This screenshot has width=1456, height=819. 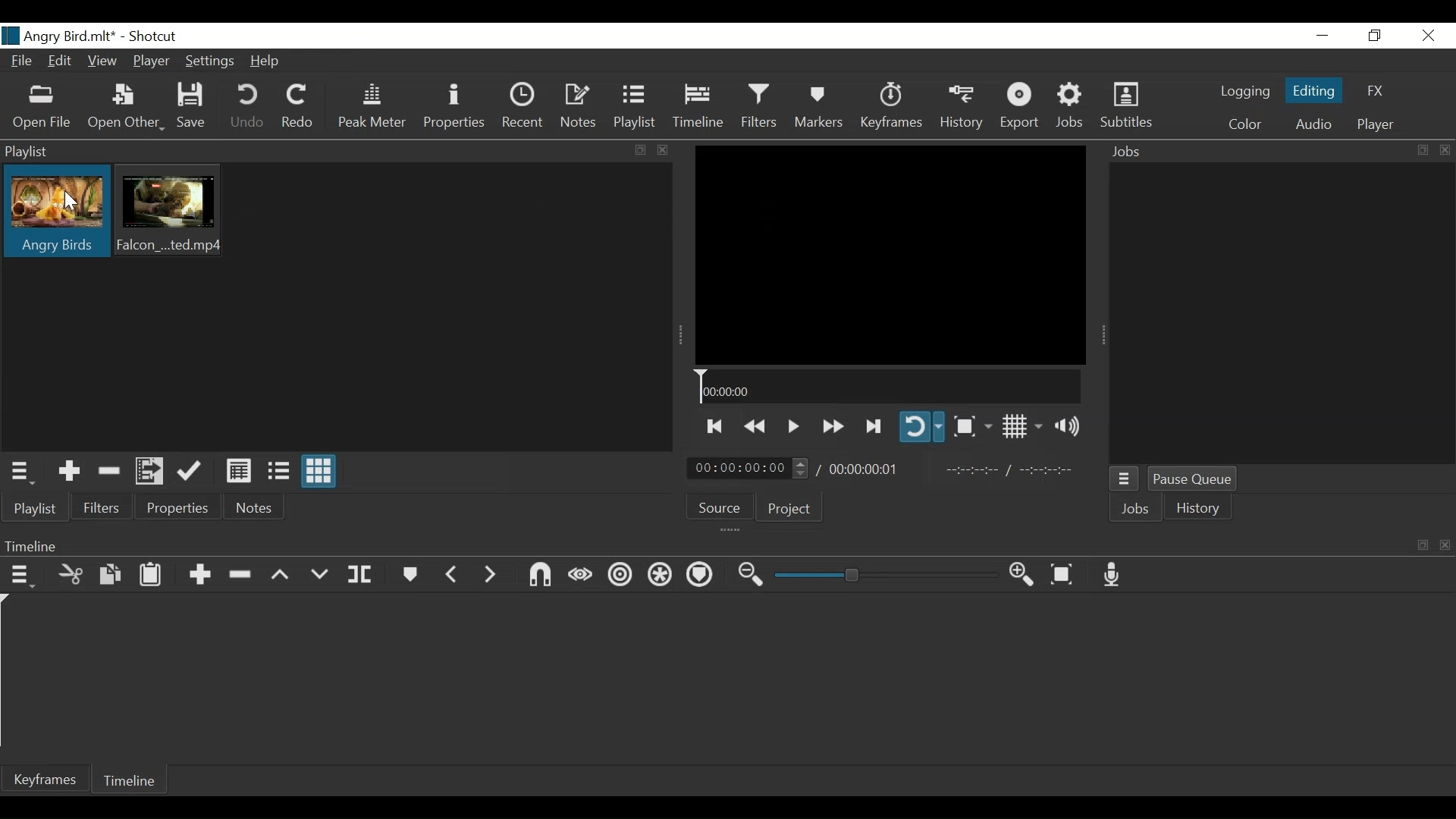 What do you see at coordinates (872, 425) in the screenshot?
I see `Skip to the next point` at bounding box center [872, 425].